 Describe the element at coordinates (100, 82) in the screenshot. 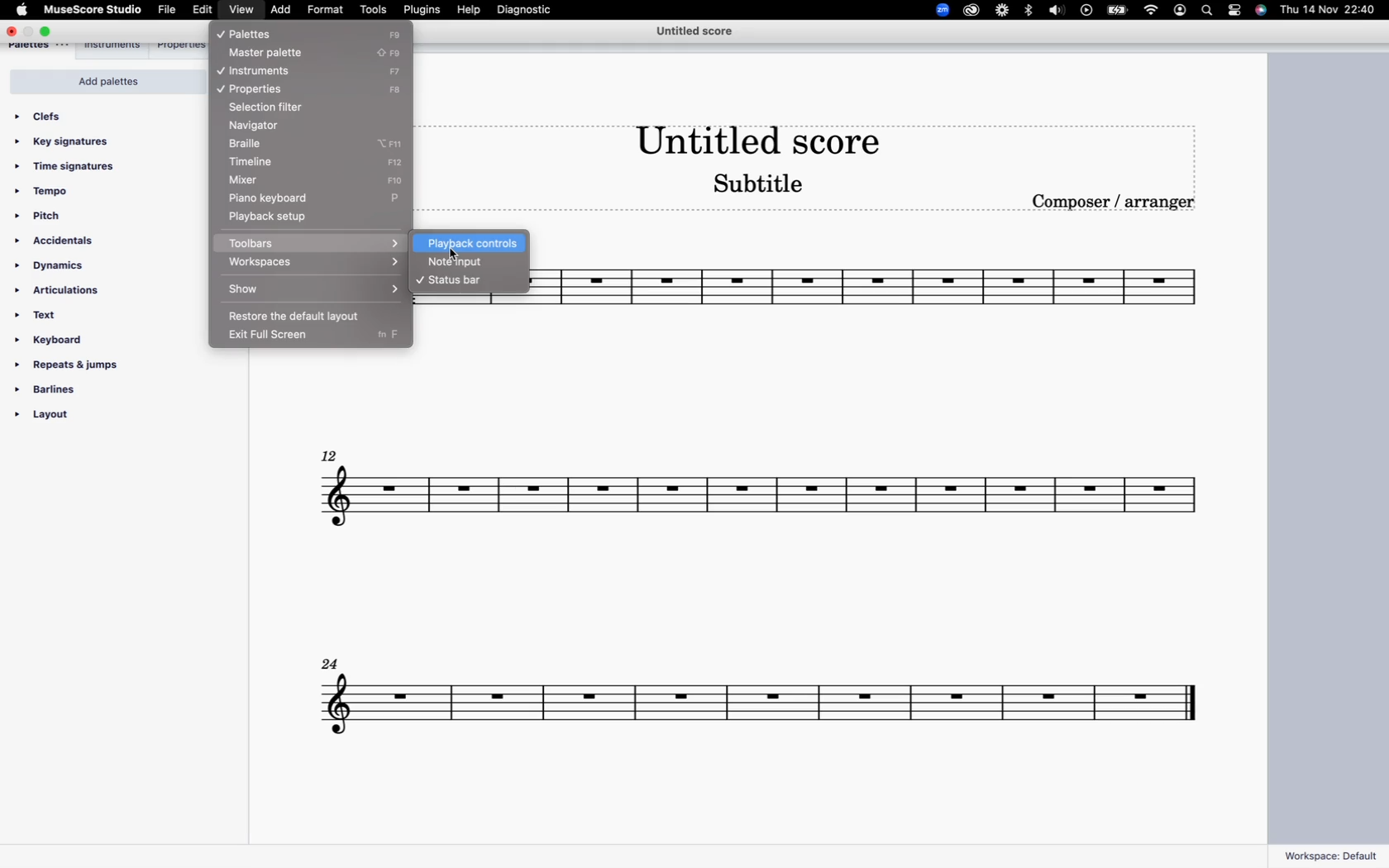

I see `add palettes` at that location.